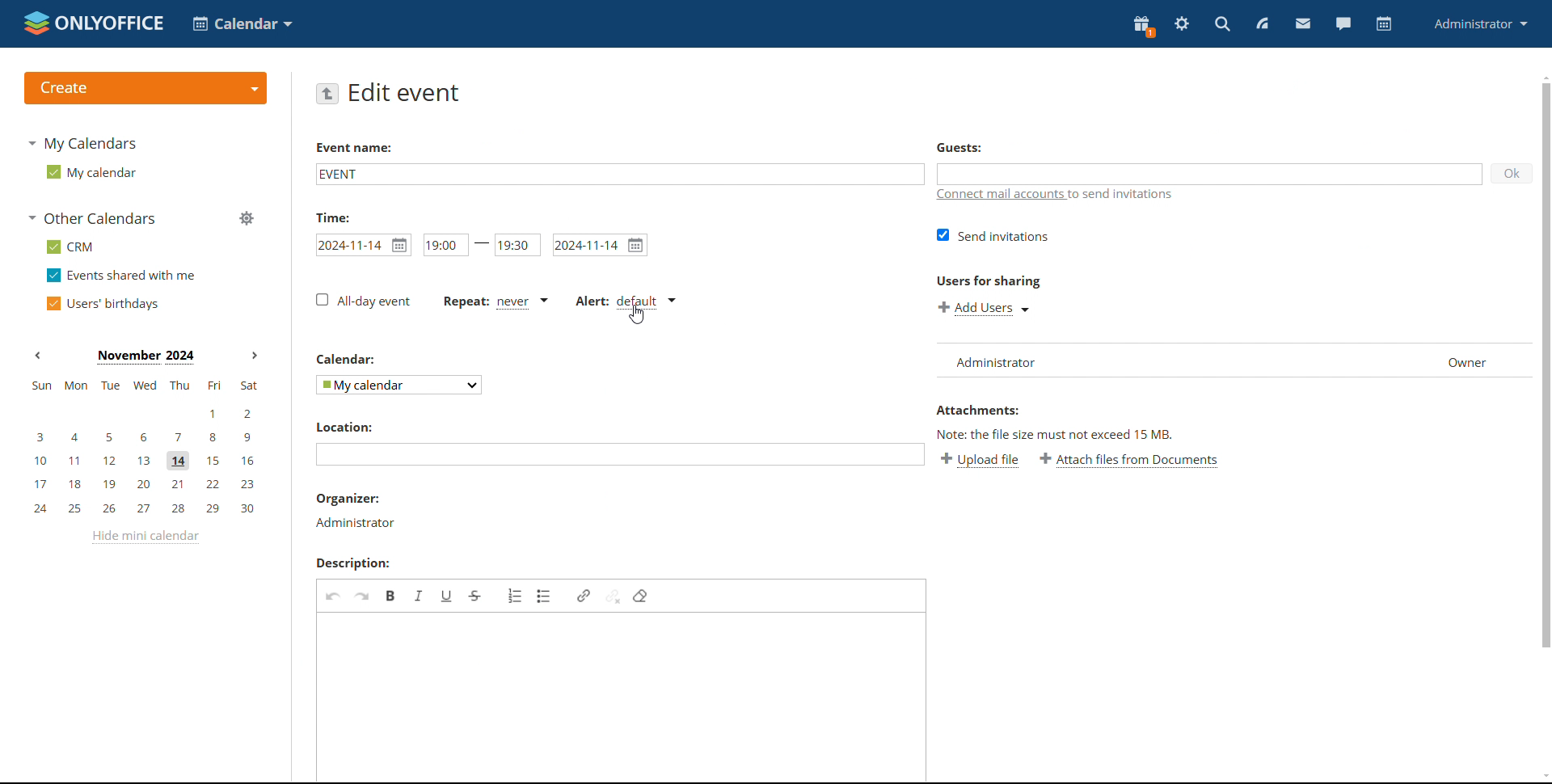  I want to click on scroll down, so click(1542, 776).